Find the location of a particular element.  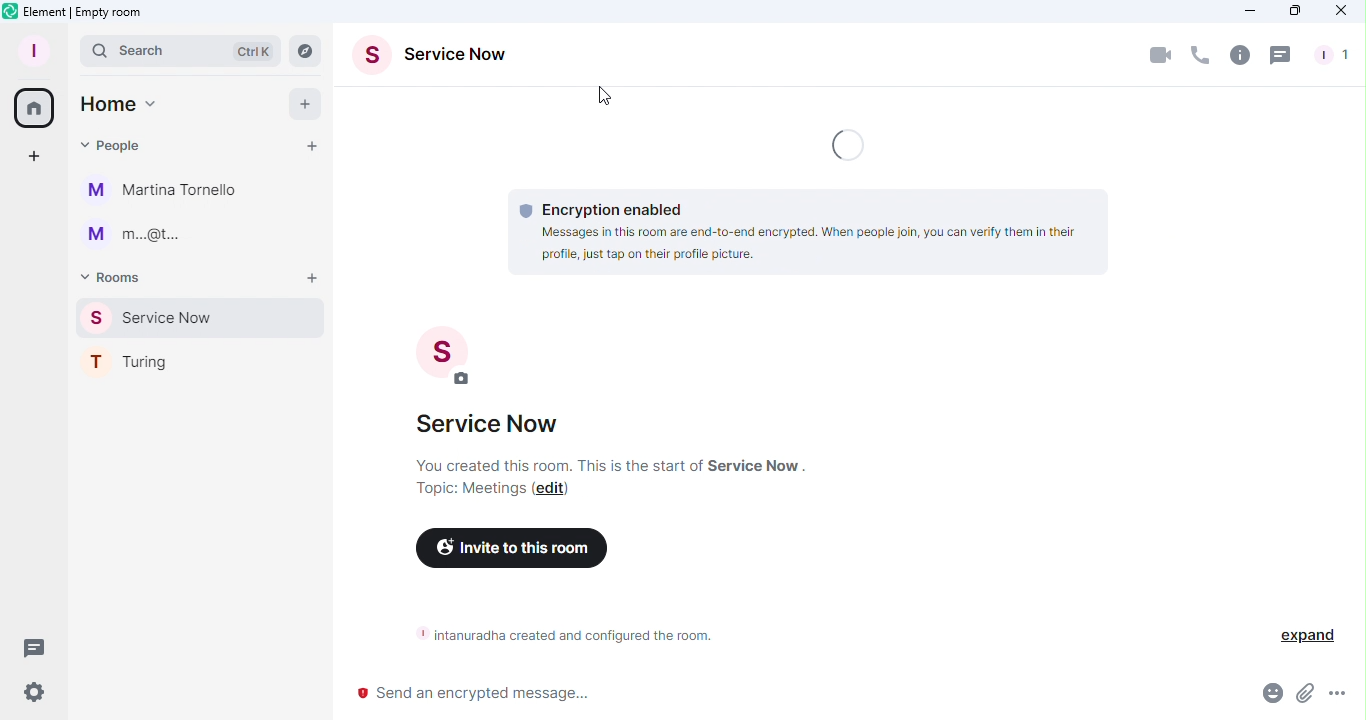

service now is located at coordinates (492, 430).